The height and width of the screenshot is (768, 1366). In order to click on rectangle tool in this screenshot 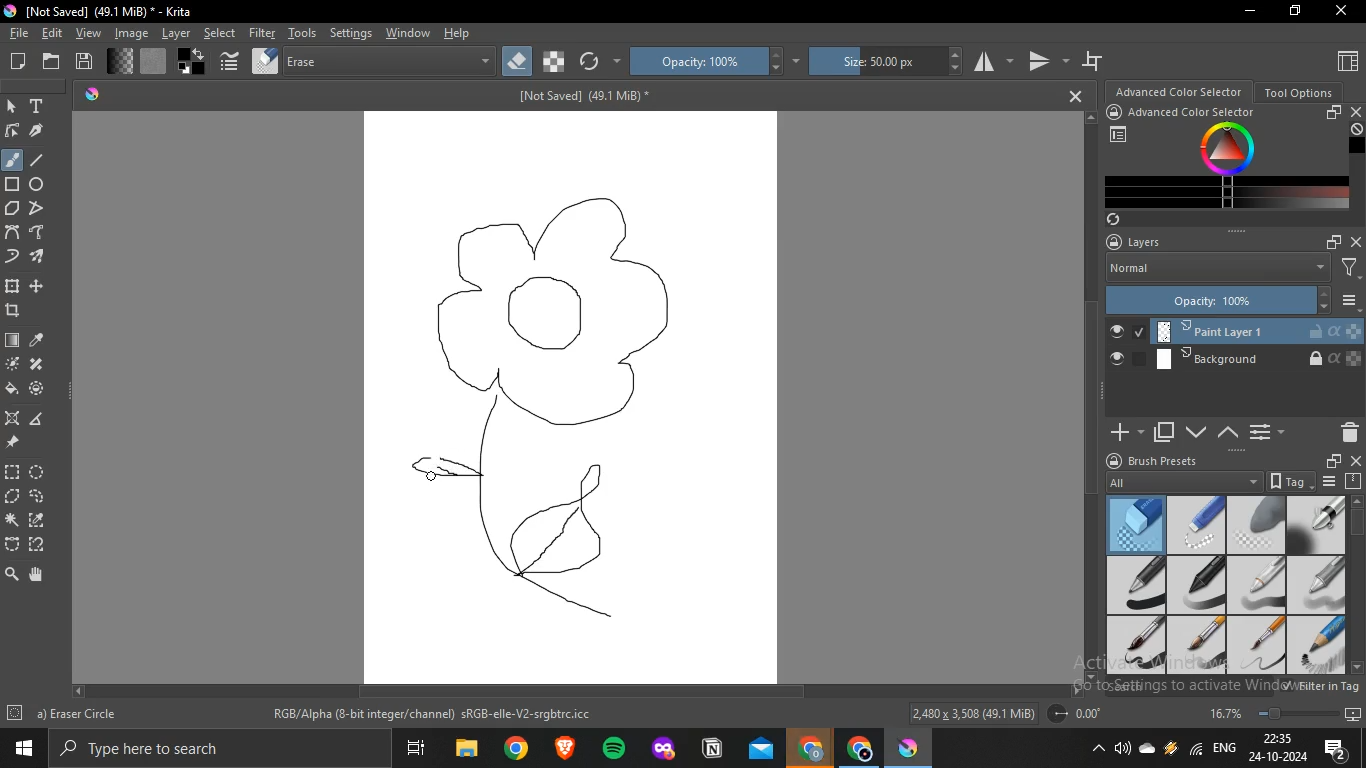, I will do `click(13, 185)`.